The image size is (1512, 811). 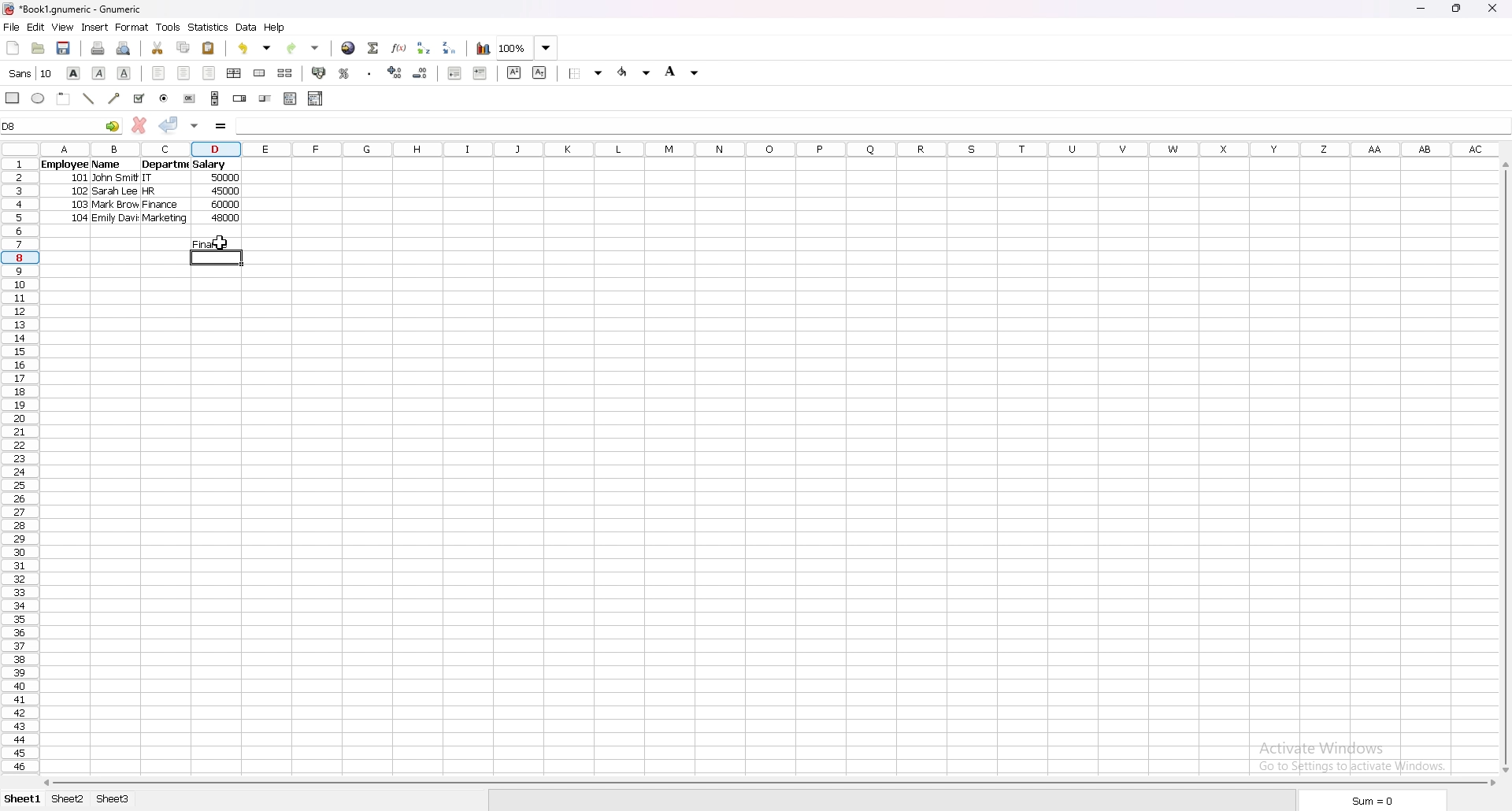 I want to click on combo box, so click(x=316, y=98).